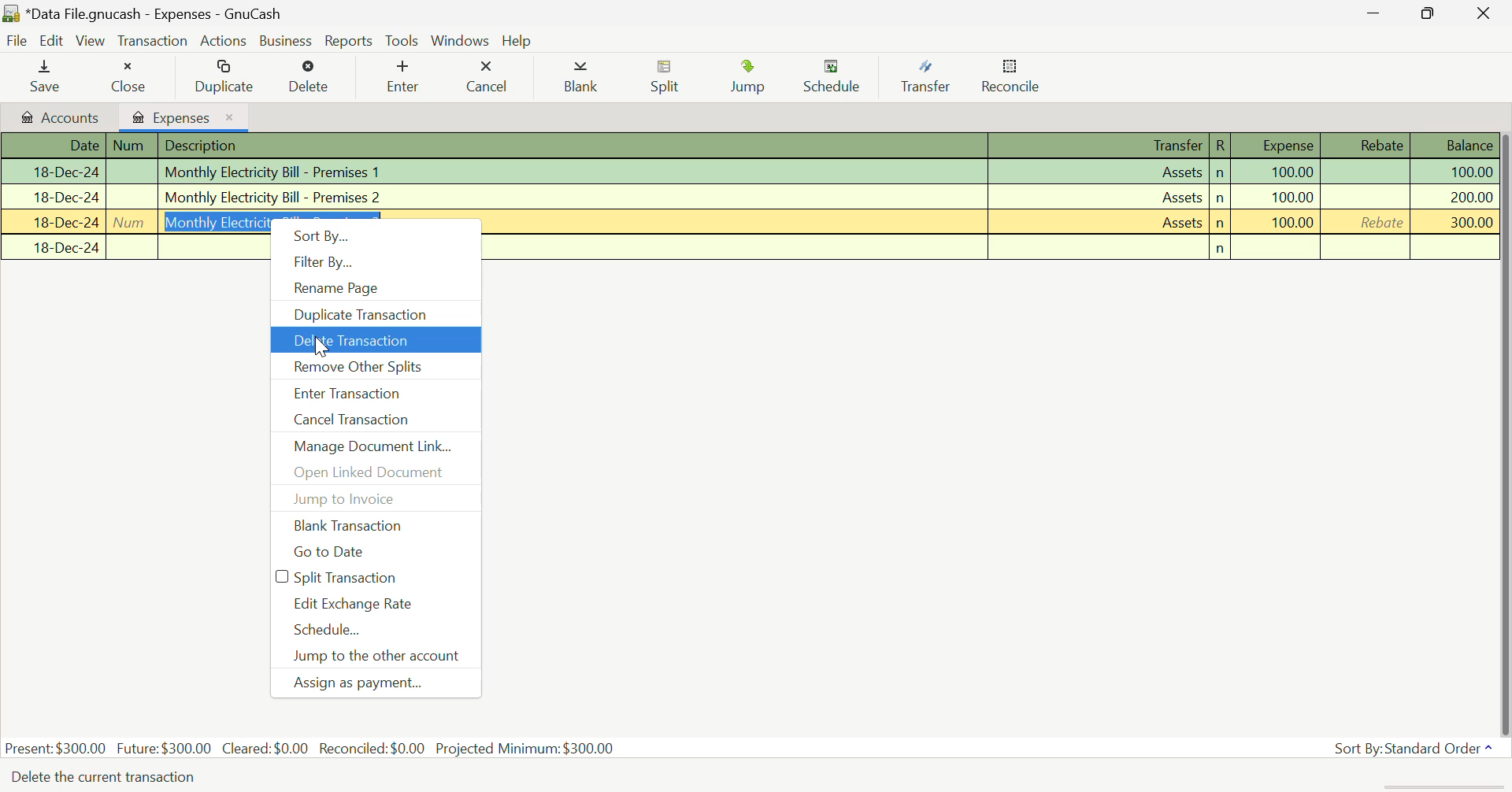 This screenshot has height=792, width=1512. What do you see at coordinates (114, 777) in the screenshot?
I see `Delete the current transaction` at bounding box center [114, 777].